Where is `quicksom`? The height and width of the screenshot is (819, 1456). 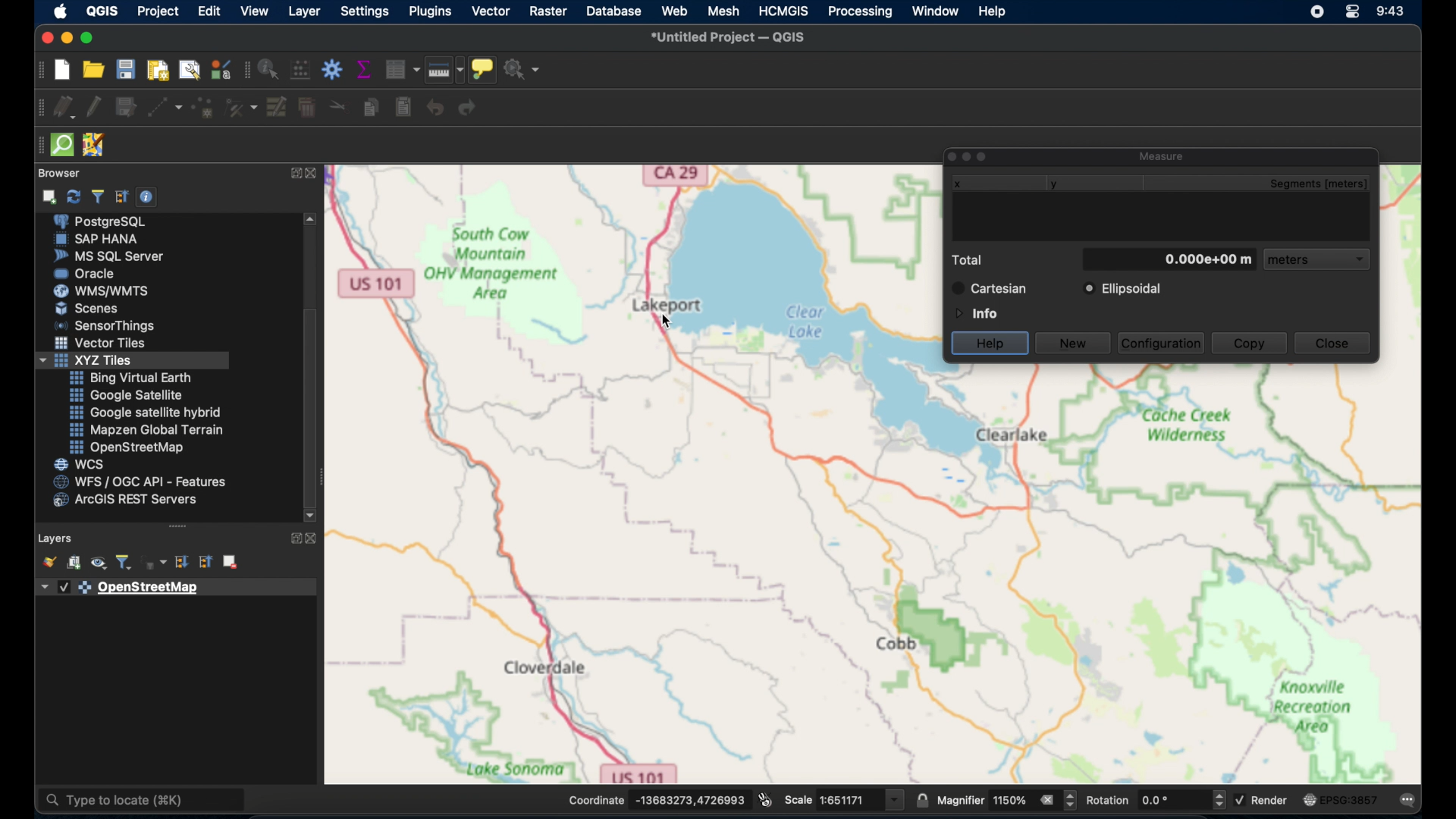
quicksom is located at coordinates (63, 144).